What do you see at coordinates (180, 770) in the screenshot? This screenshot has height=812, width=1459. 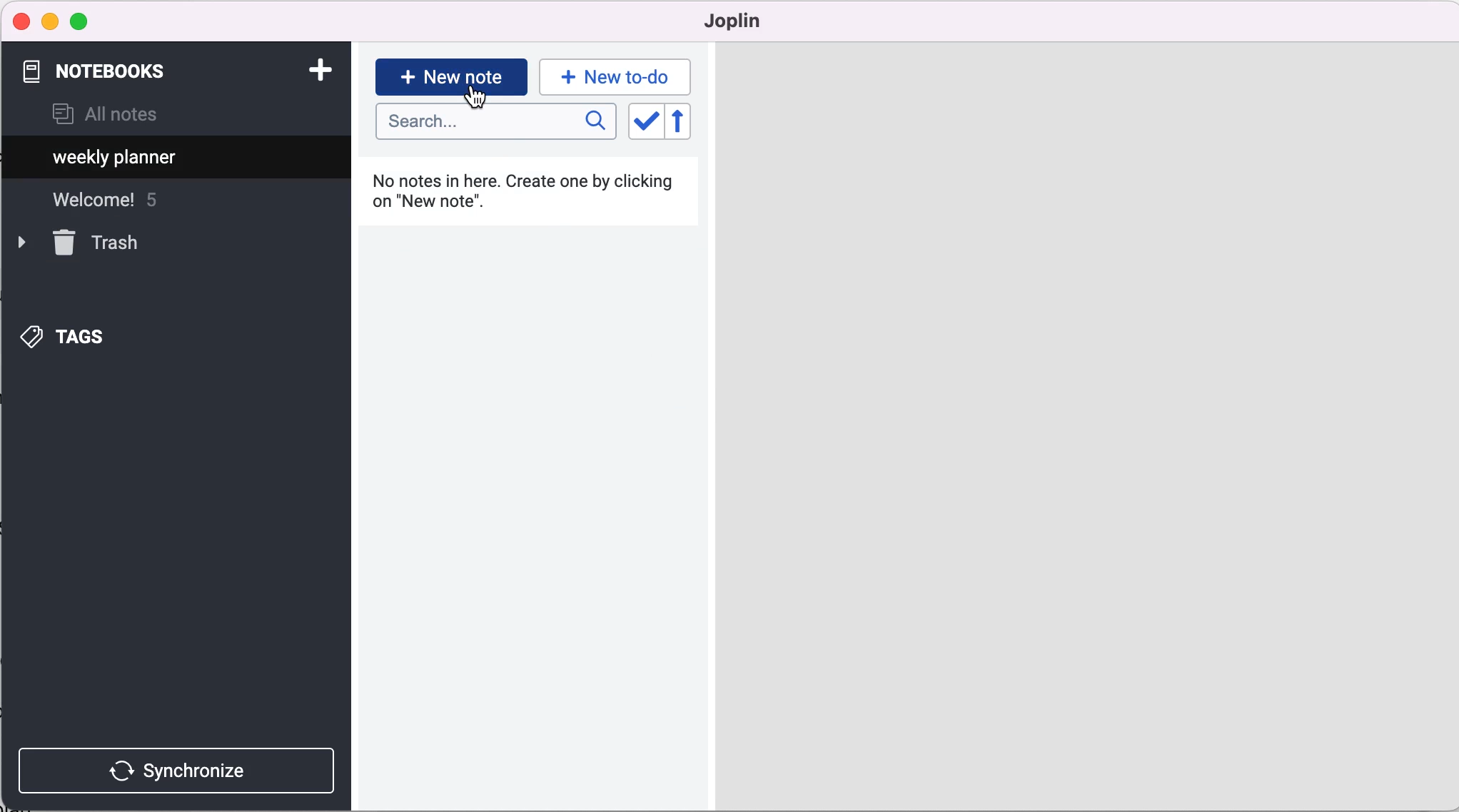 I see `synchronize` at bounding box center [180, 770].